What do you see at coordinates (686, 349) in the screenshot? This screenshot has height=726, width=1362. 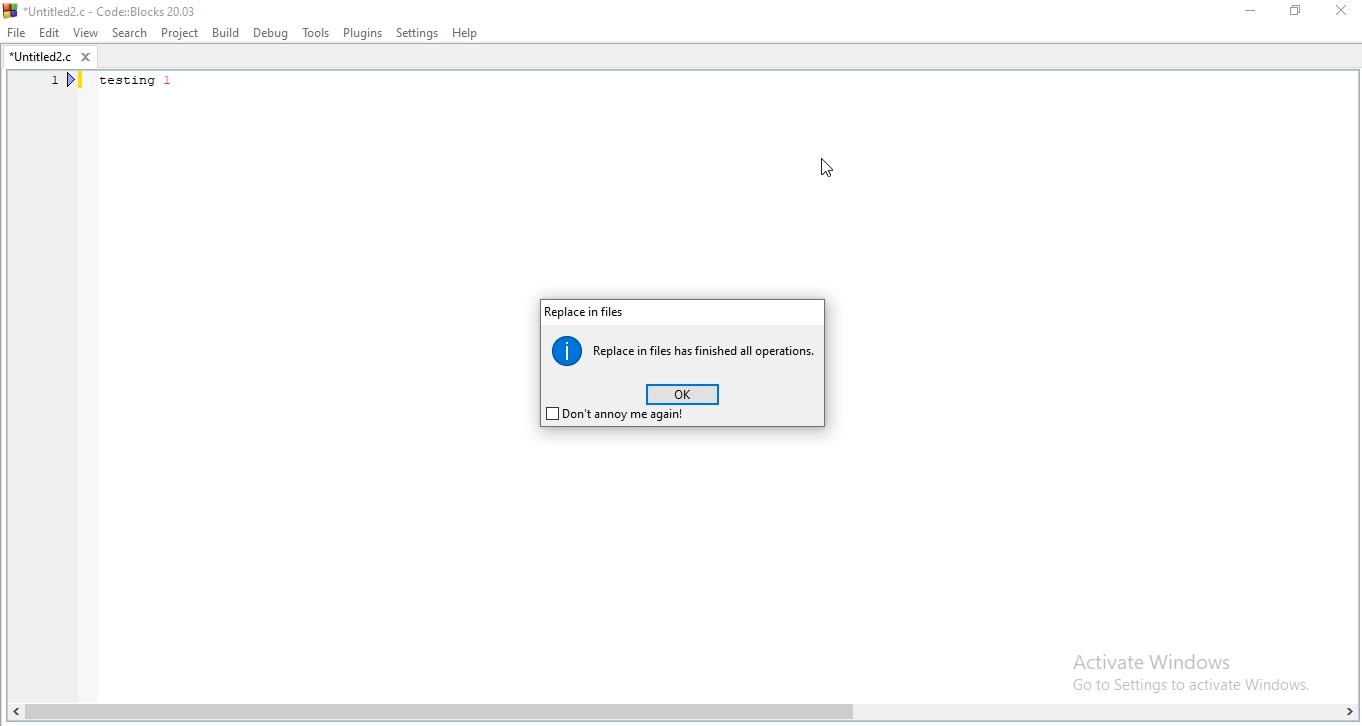 I see `Replace in files has finished all operations.` at bounding box center [686, 349].